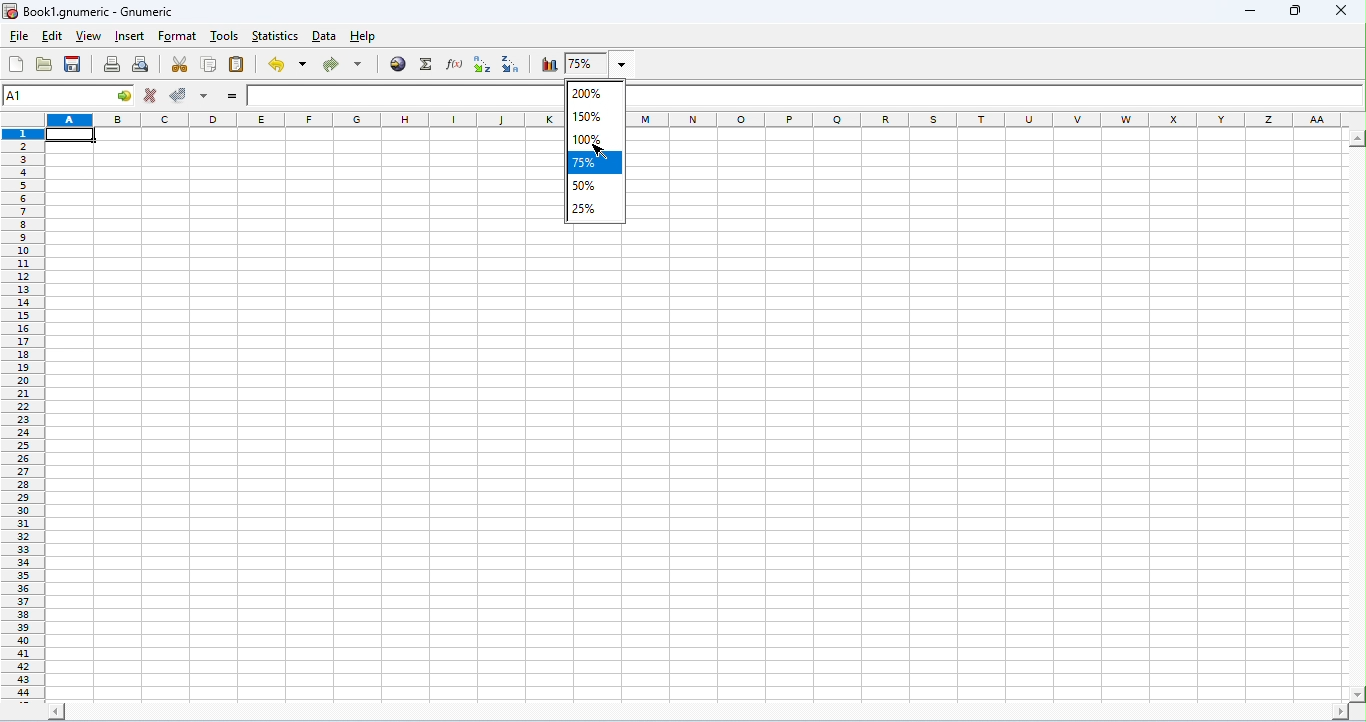  I want to click on select function, so click(427, 65).